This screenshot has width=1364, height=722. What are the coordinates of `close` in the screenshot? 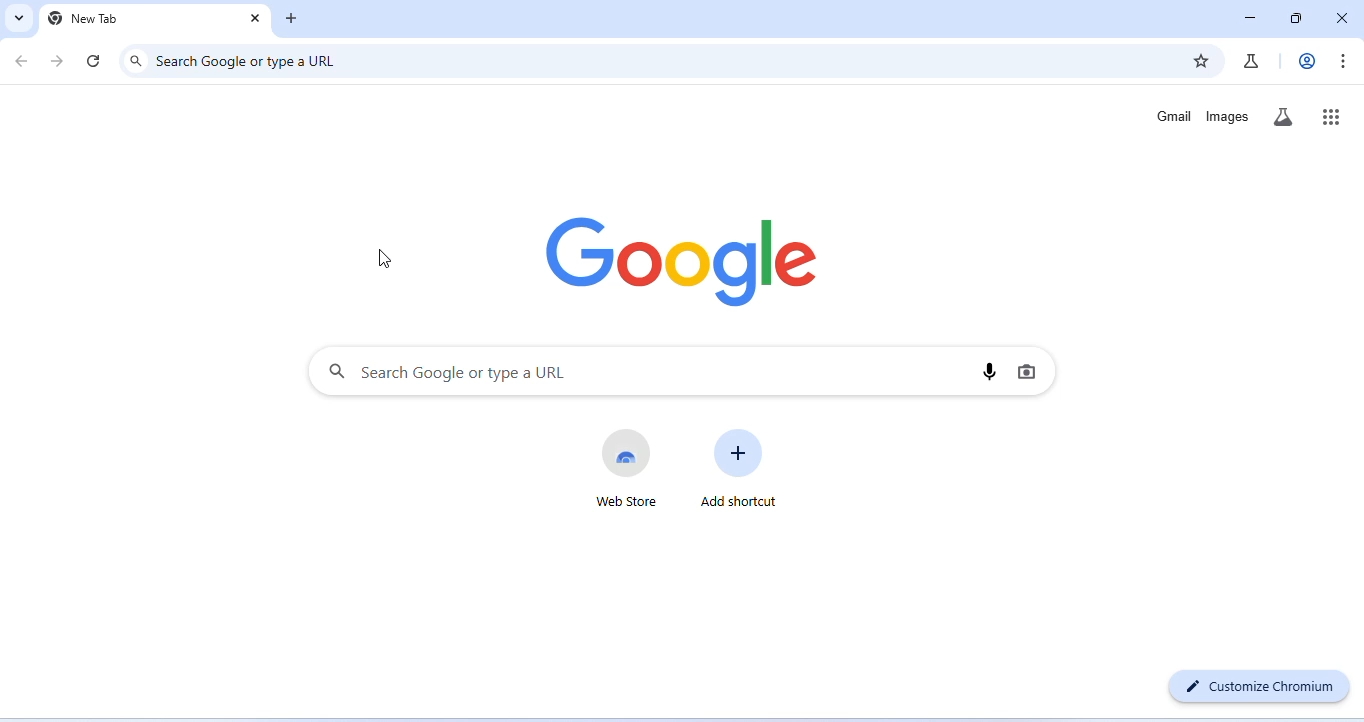 It's located at (1341, 16).